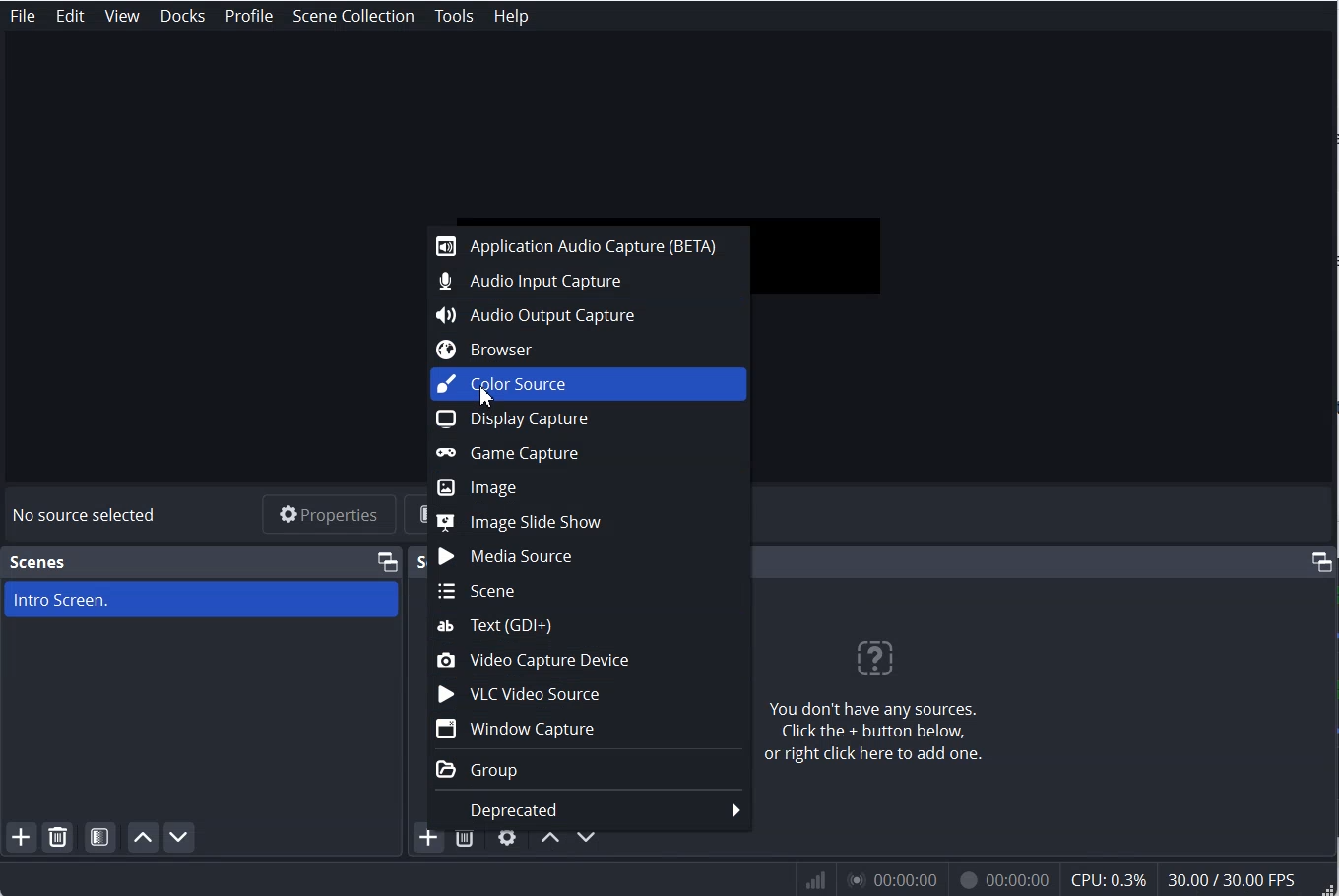  What do you see at coordinates (85, 514) in the screenshot?
I see `No source selected` at bounding box center [85, 514].